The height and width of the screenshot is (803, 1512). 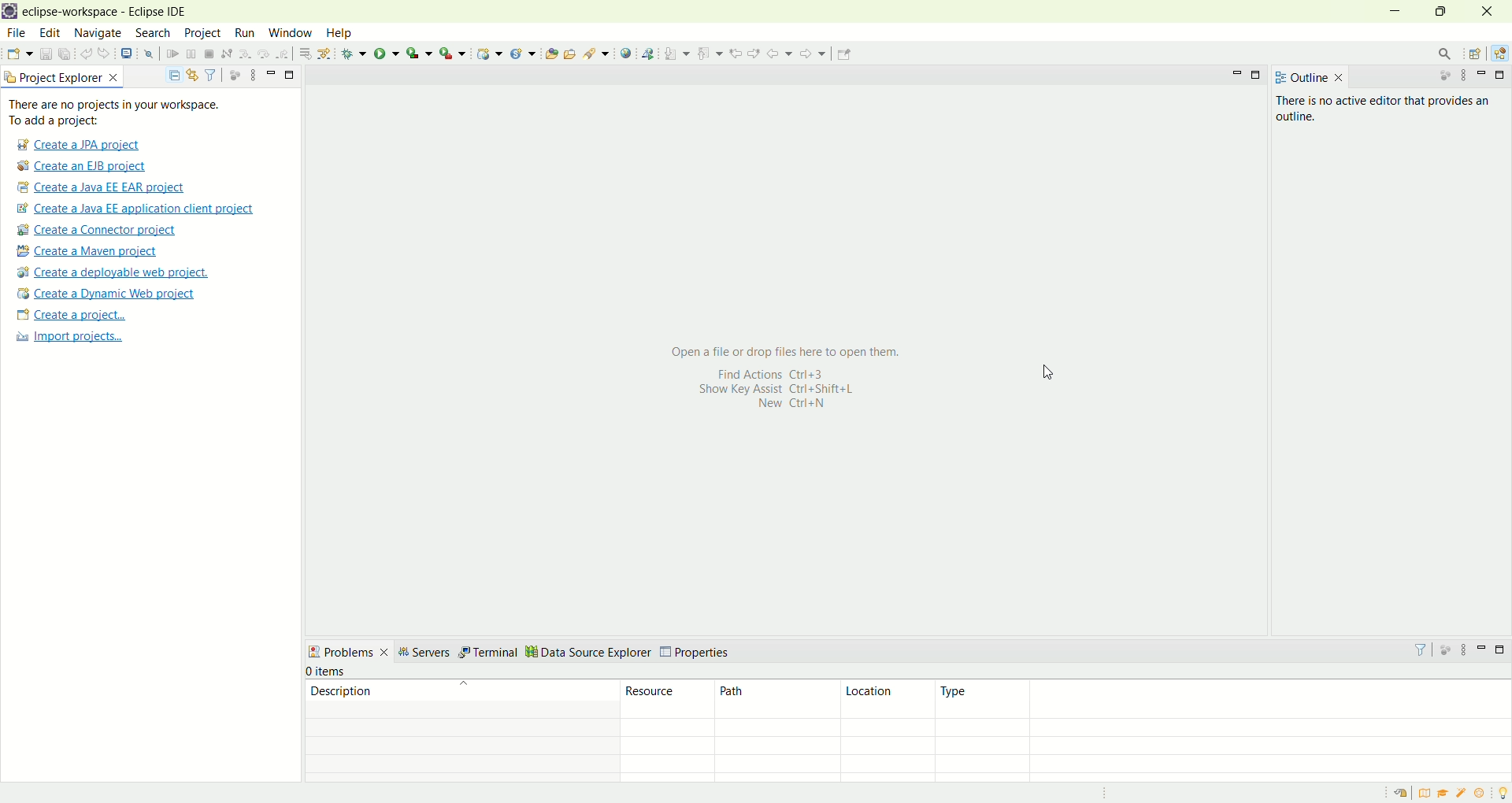 What do you see at coordinates (226, 53) in the screenshot?
I see `disconnect` at bounding box center [226, 53].